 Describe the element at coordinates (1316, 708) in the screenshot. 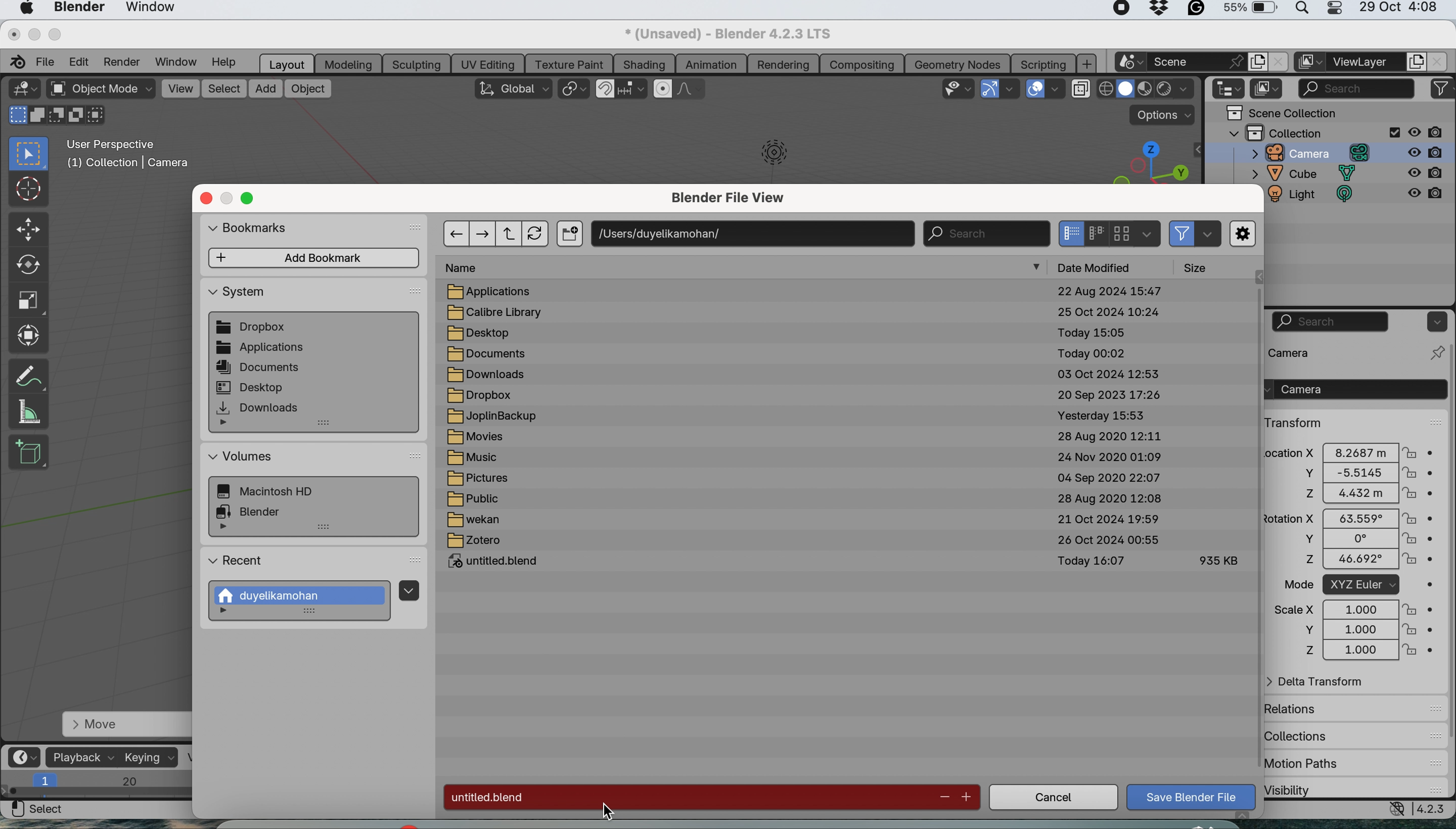

I see `relations` at that location.